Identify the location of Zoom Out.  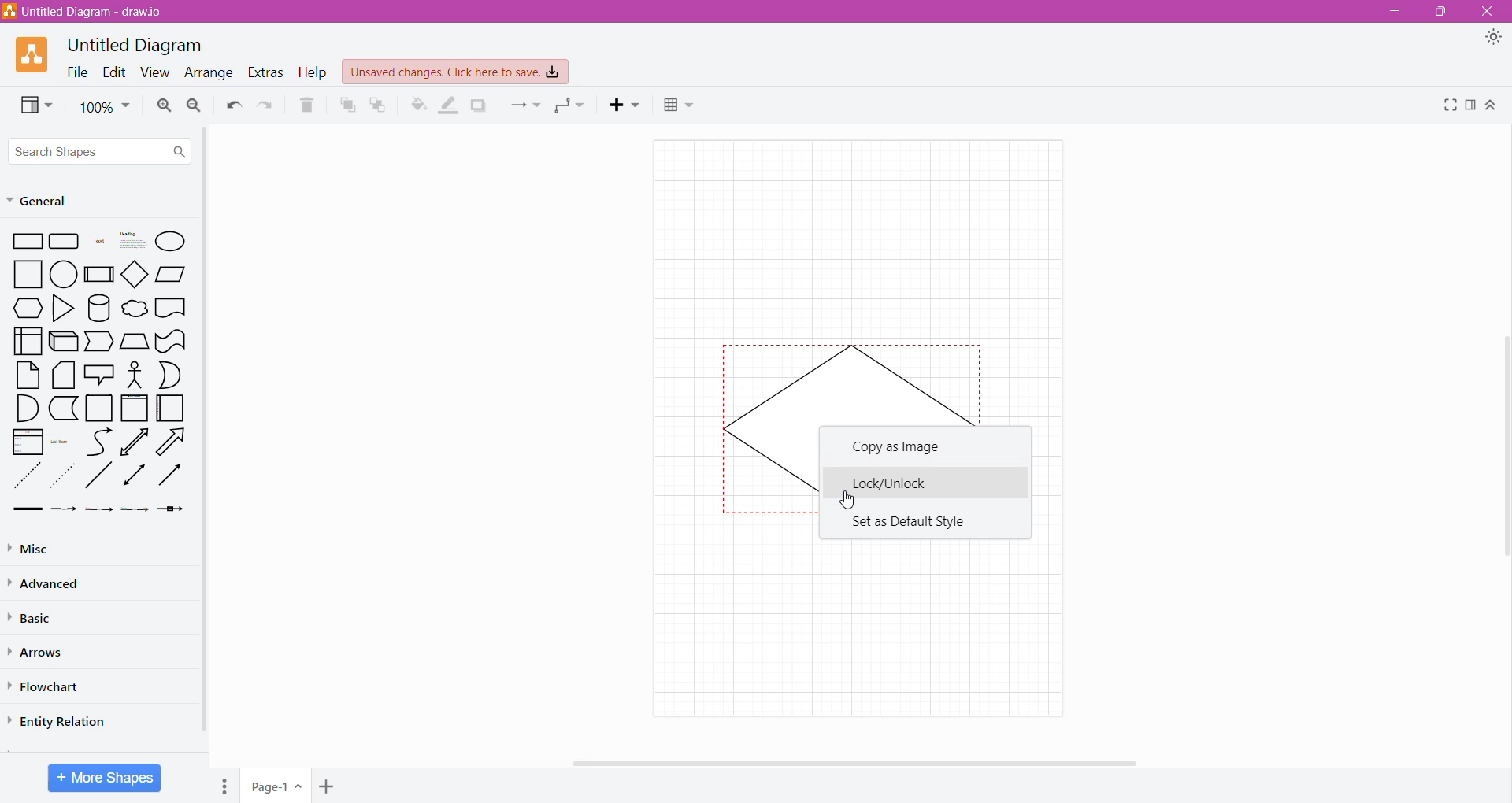
(194, 106).